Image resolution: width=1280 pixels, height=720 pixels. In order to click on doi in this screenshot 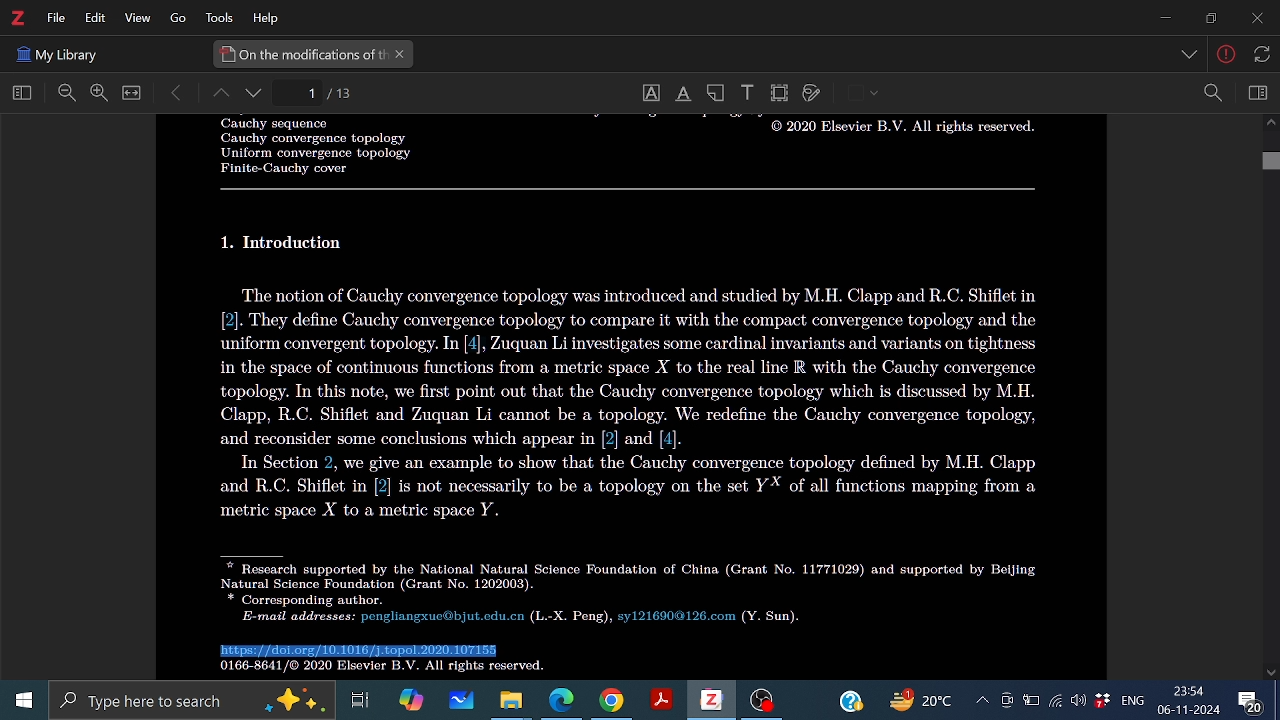, I will do `click(366, 651)`.